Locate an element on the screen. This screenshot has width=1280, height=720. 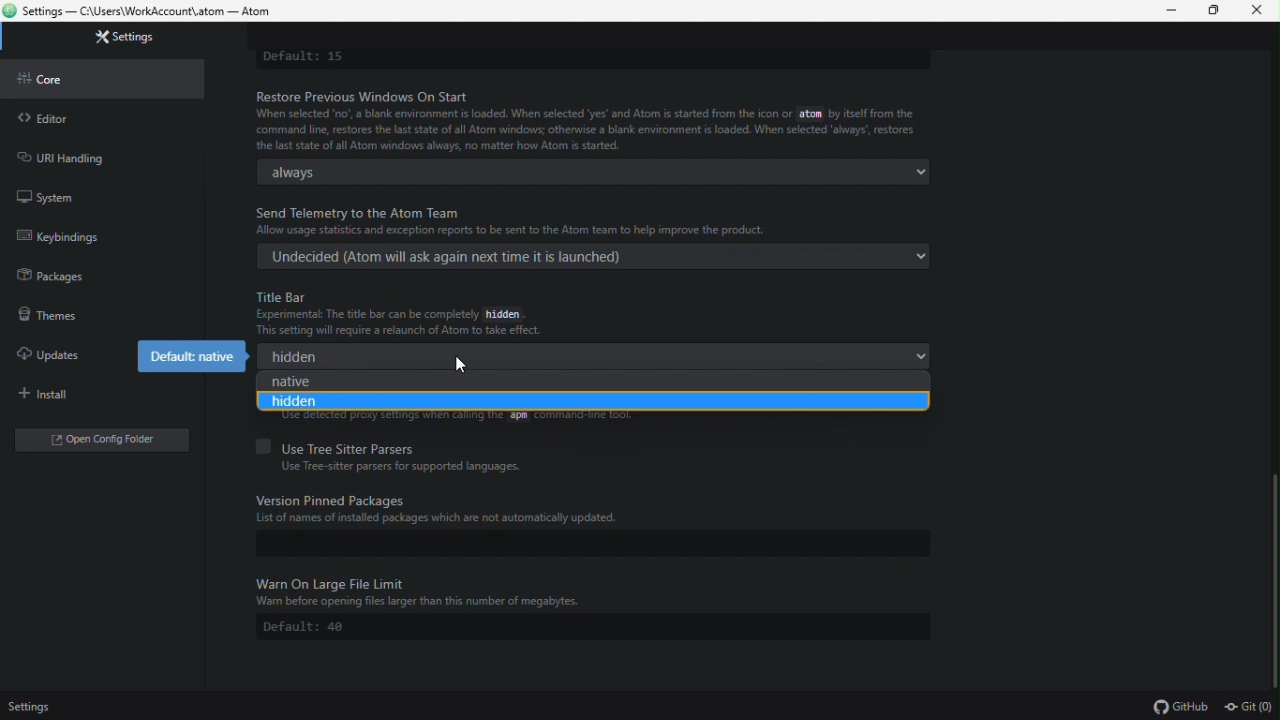
Default: 15 is located at coordinates (303, 58).